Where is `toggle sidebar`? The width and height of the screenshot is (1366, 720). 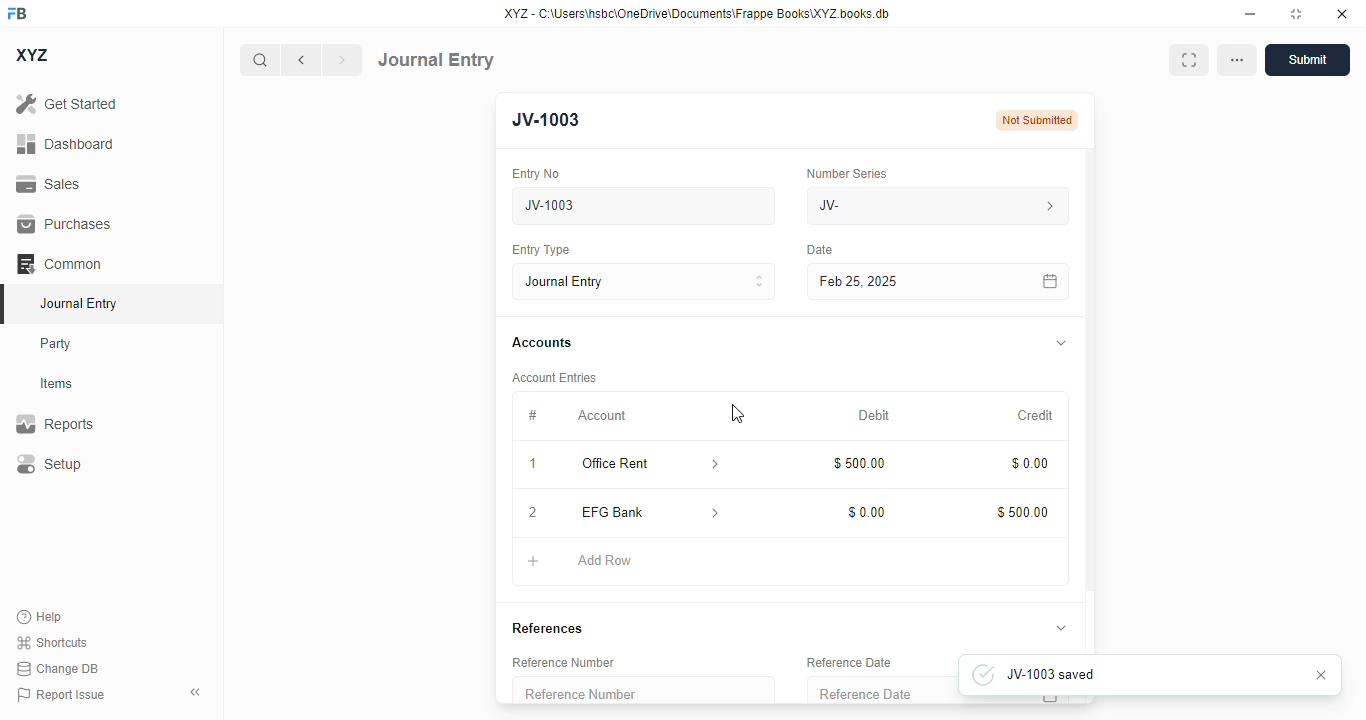 toggle sidebar is located at coordinates (197, 692).